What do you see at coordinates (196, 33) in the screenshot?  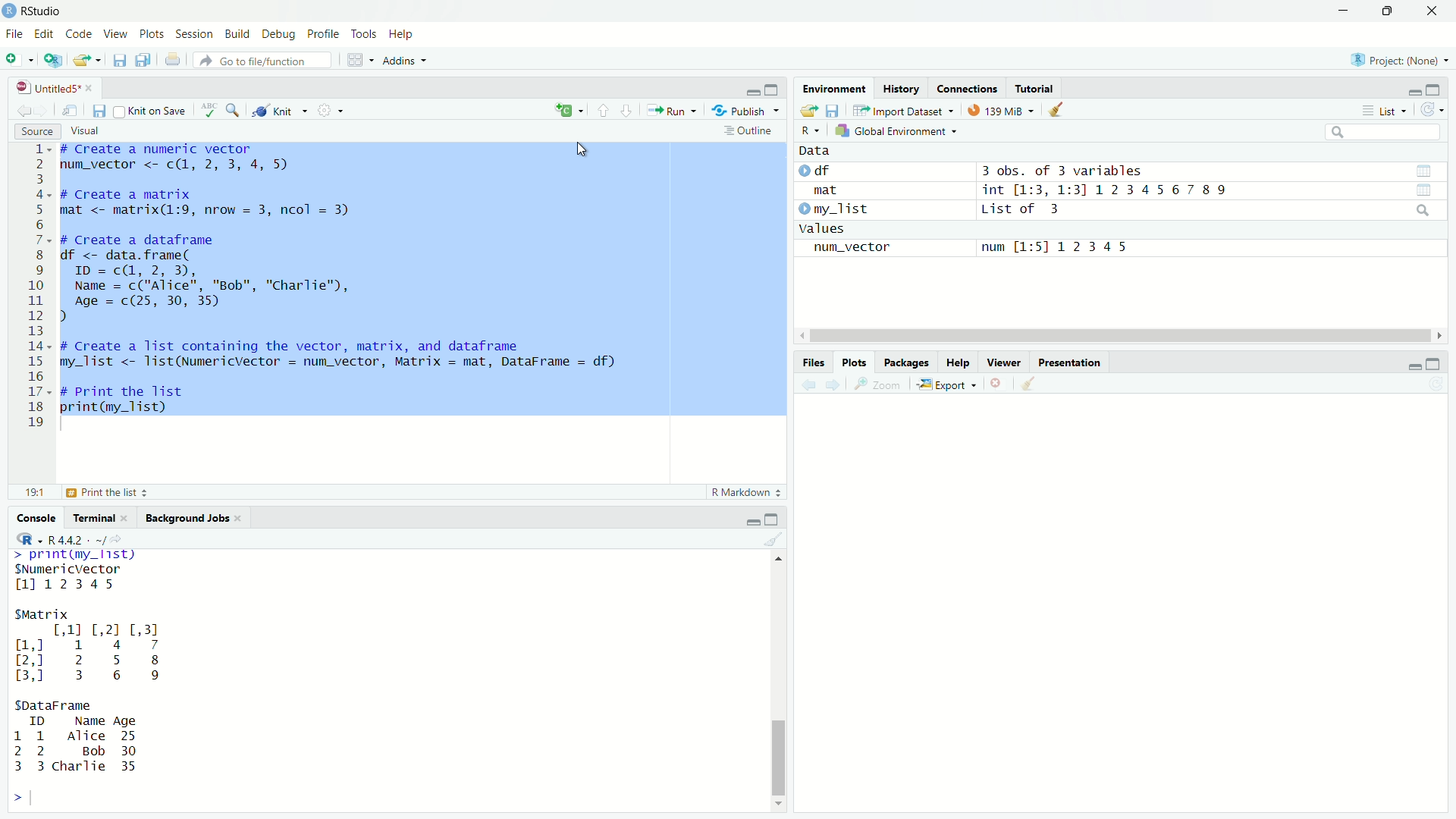 I see `Session` at bounding box center [196, 33].